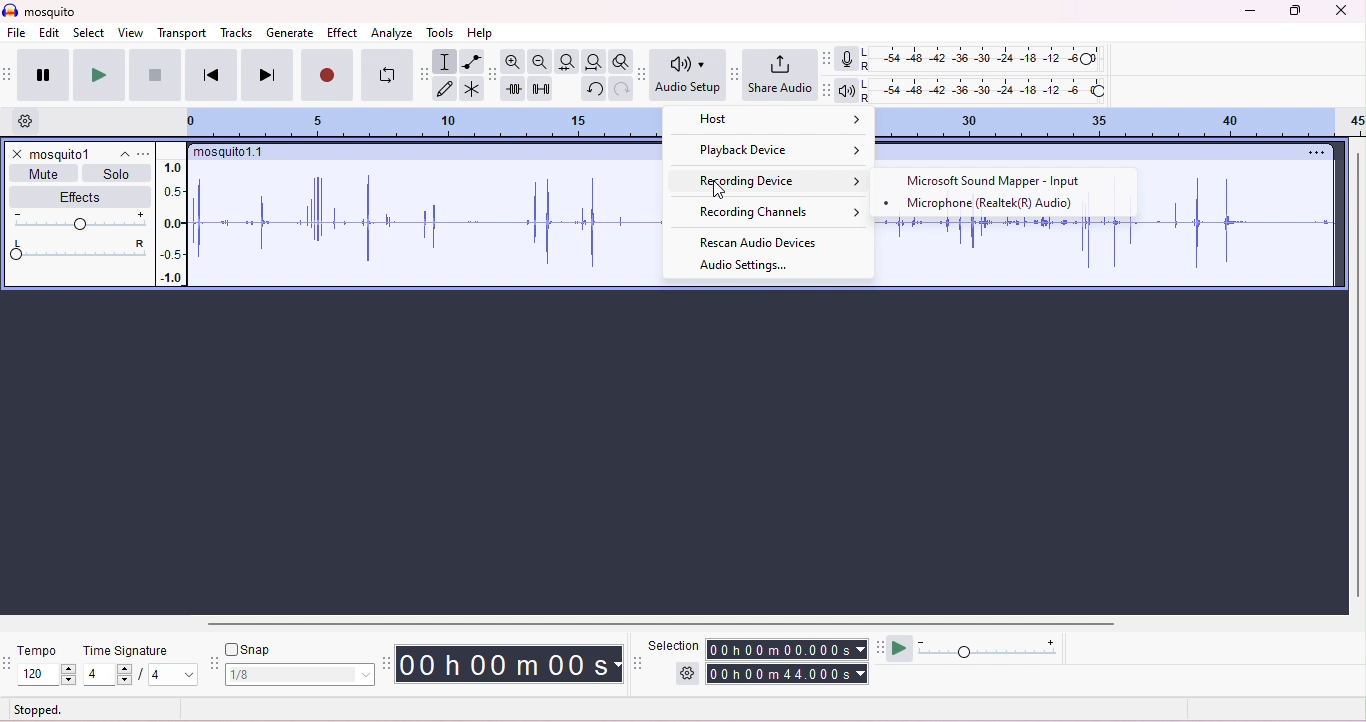 The width and height of the screenshot is (1366, 722). Describe the element at coordinates (38, 711) in the screenshot. I see `stopped` at that location.